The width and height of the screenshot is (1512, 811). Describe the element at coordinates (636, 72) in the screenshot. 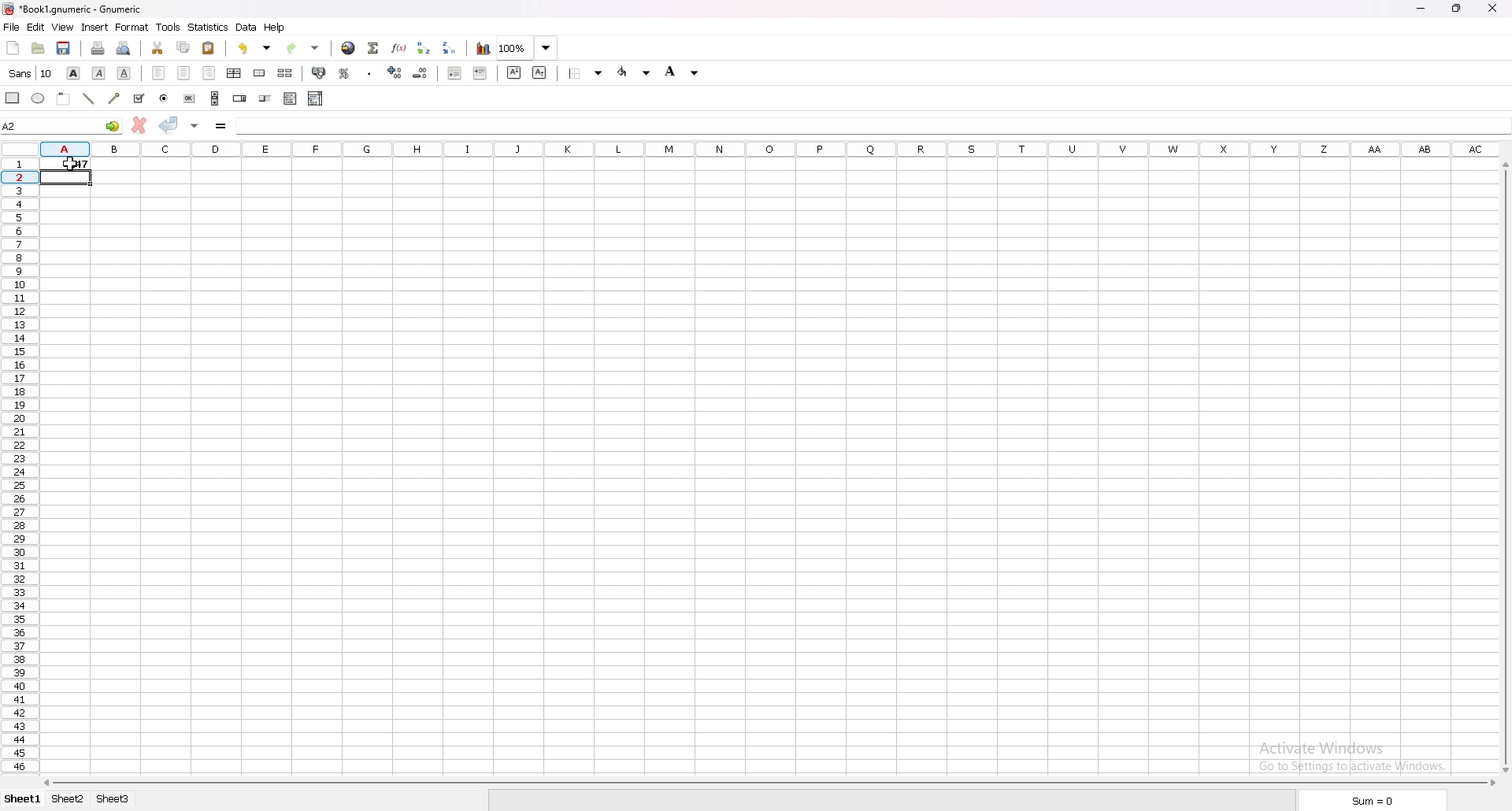

I see `foreground` at that location.